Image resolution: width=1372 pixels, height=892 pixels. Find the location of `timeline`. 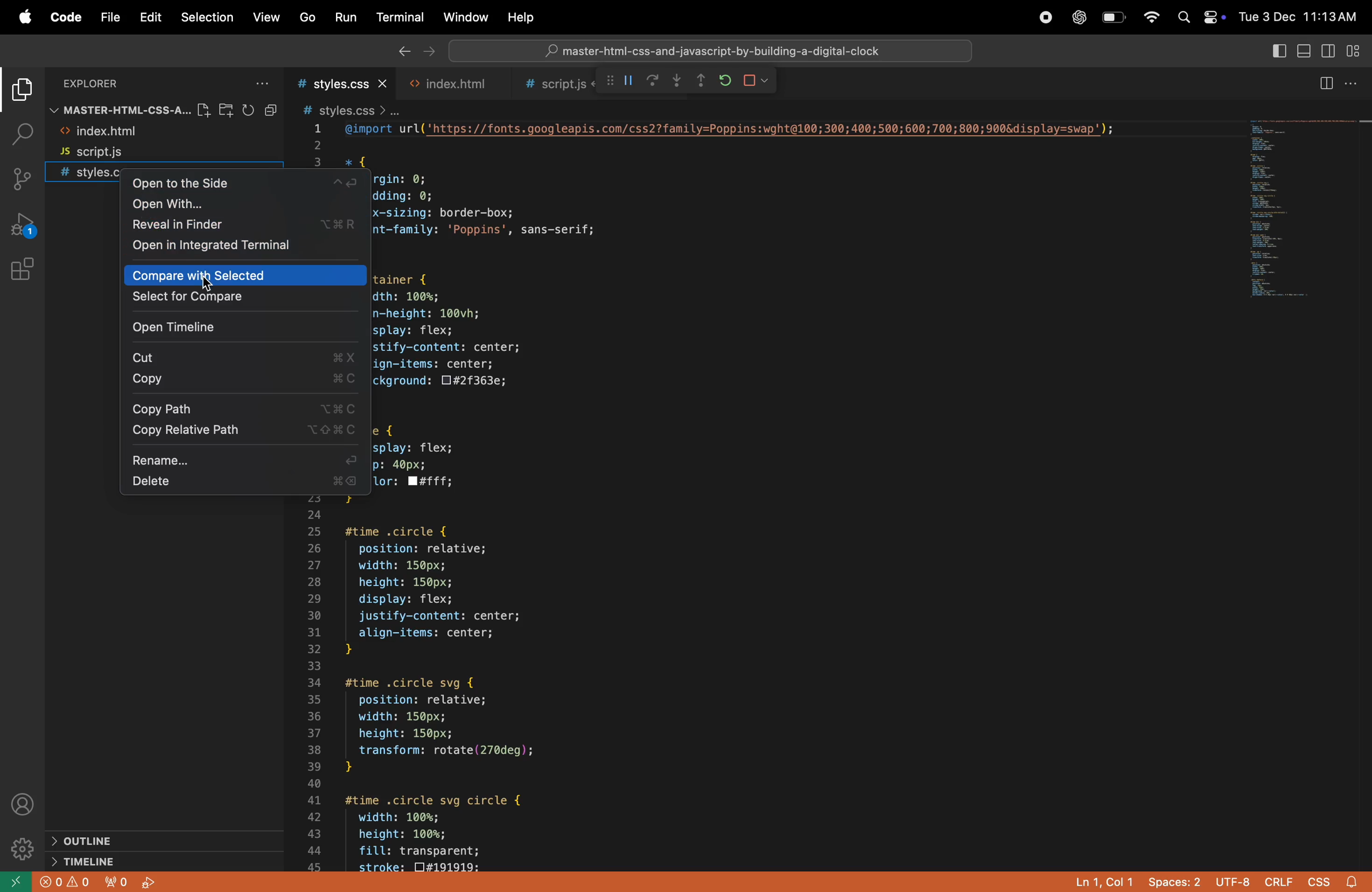

timeline is located at coordinates (82, 861).